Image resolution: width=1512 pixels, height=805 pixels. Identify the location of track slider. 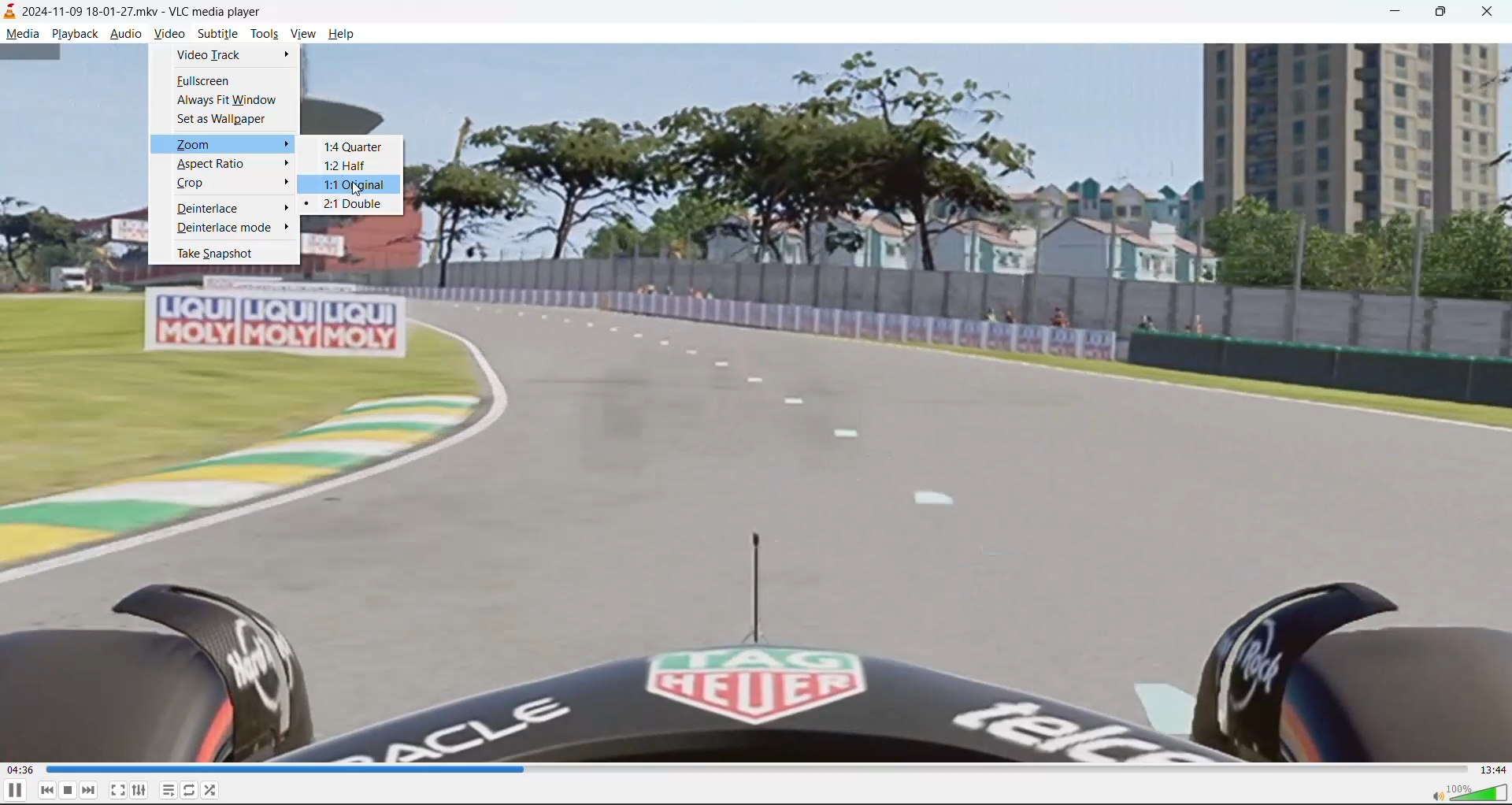
(759, 770).